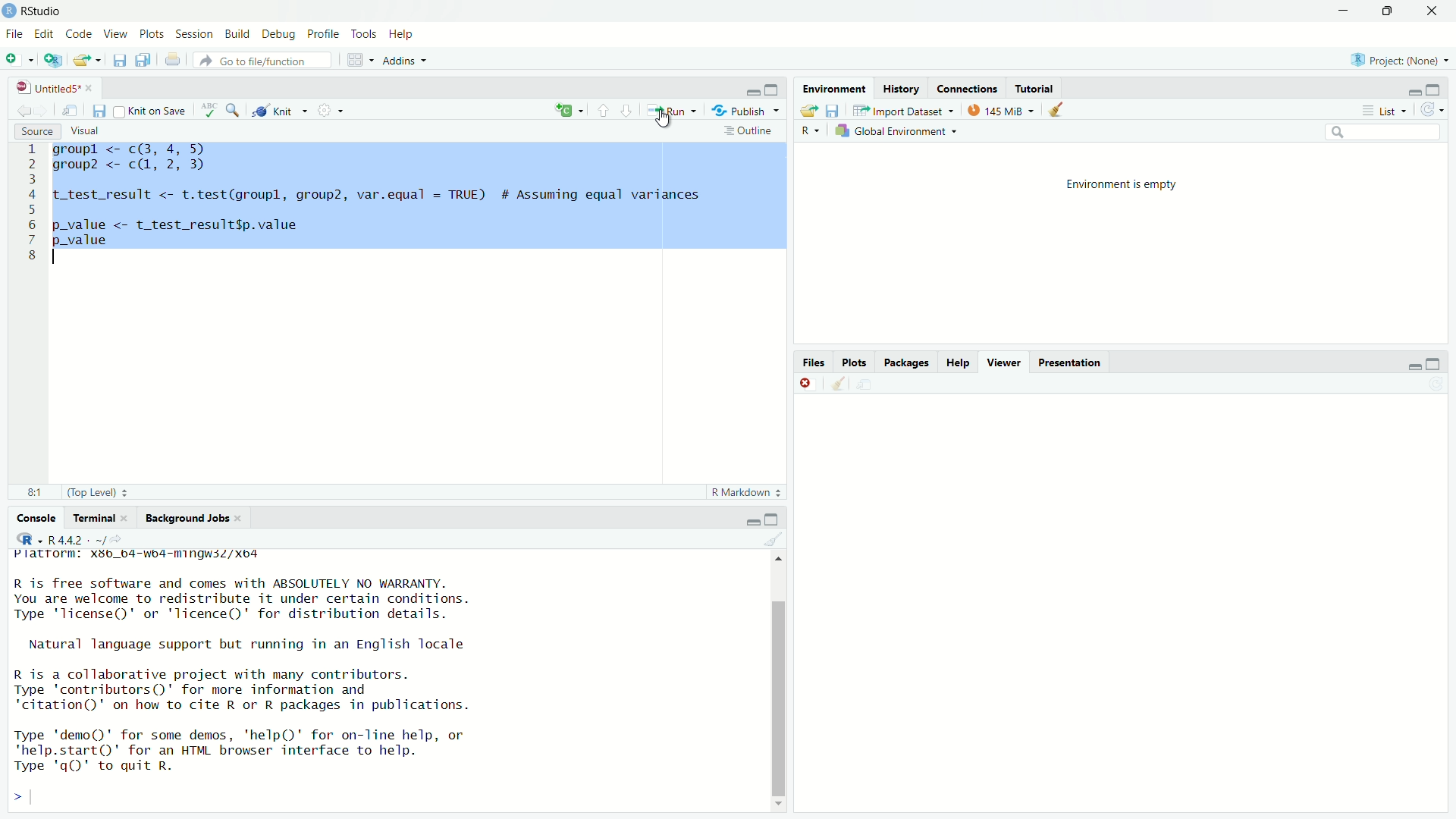 Image resolution: width=1456 pixels, height=819 pixels. What do you see at coordinates (154, 109) in the screenshot?
I see `Knit on Save` at bounding box center [154, 109].